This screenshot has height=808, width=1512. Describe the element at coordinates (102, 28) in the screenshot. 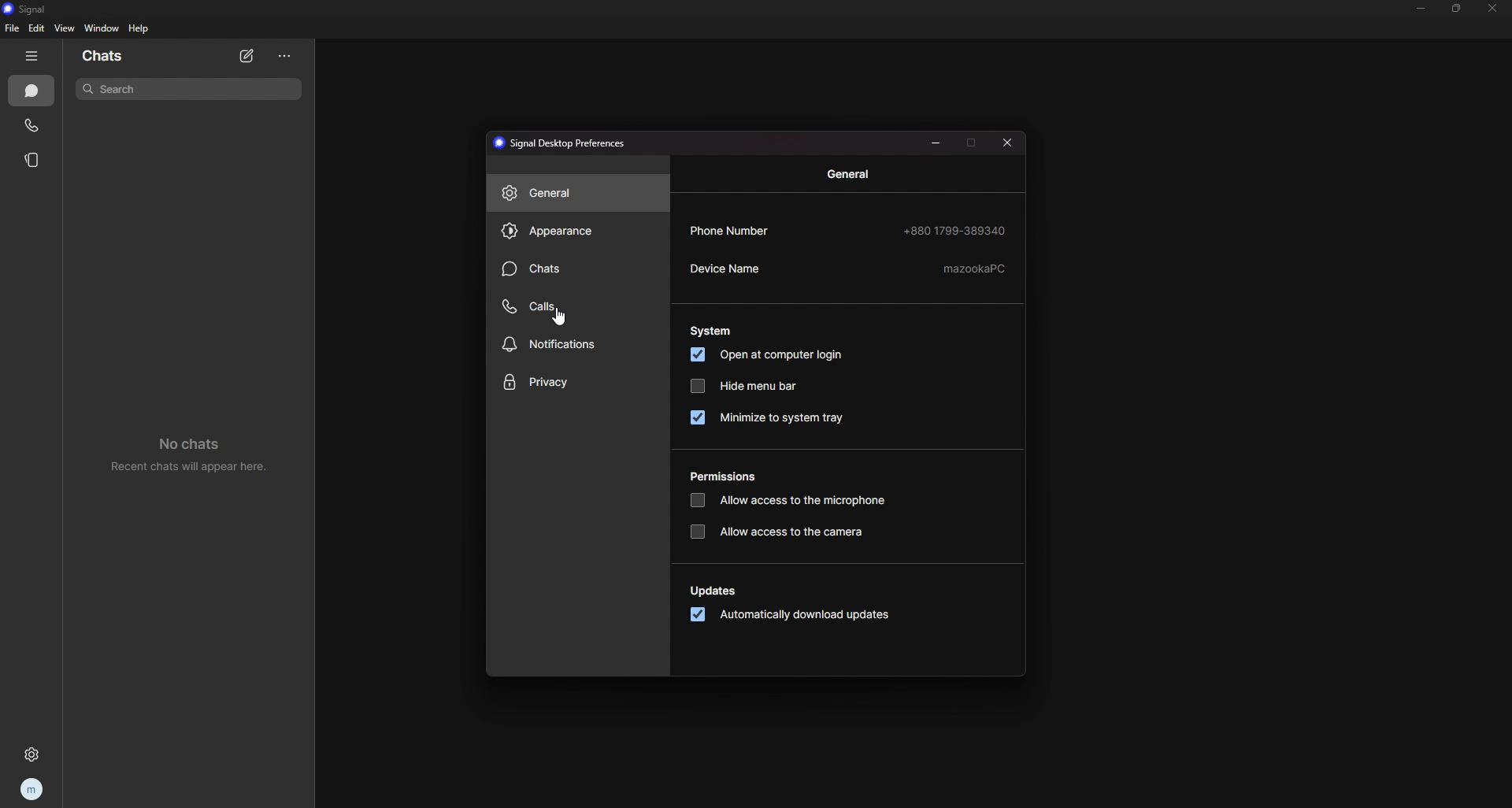

I see `window` at that location.